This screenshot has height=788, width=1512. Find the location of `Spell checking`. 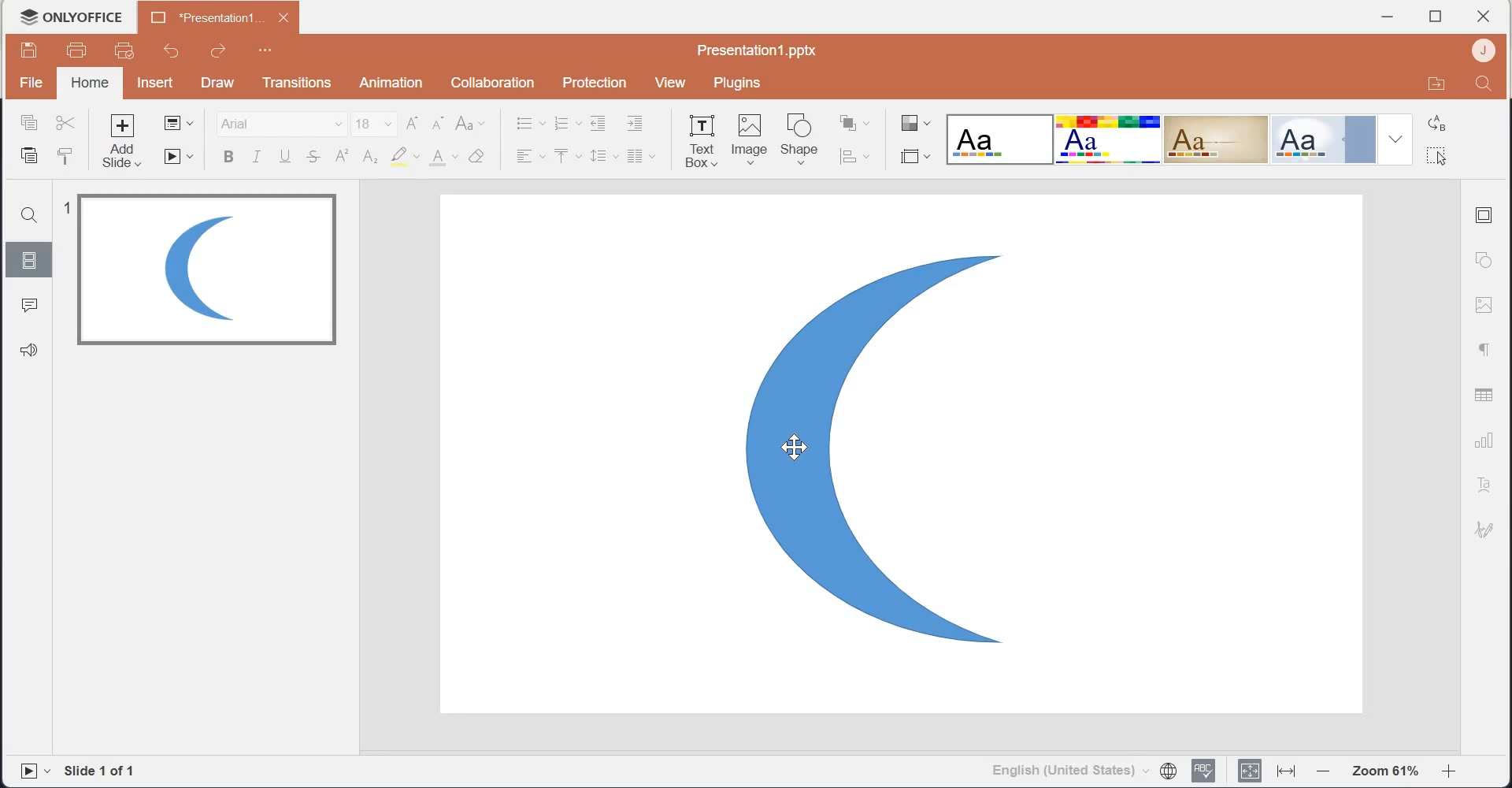

Spell checking is located at coordinates (1206, 771).